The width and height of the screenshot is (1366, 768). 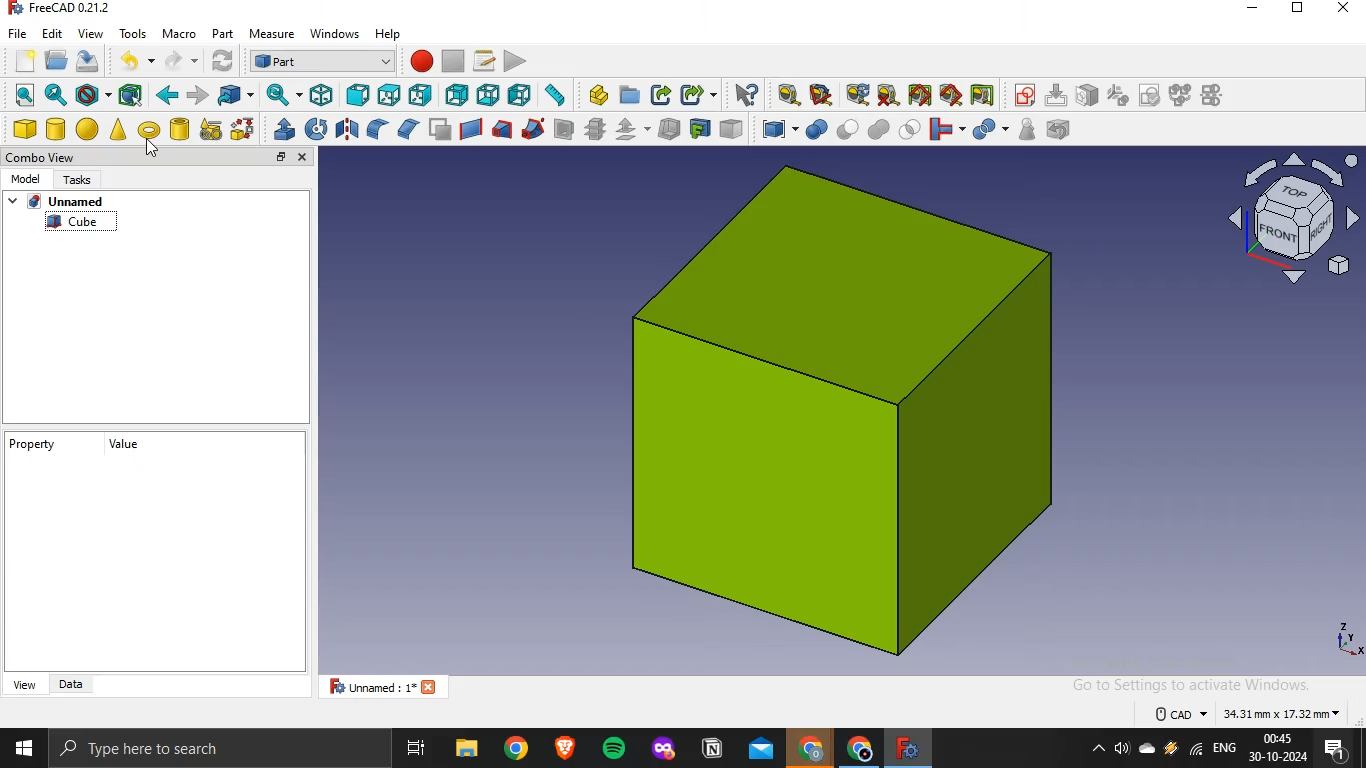 What do you see at coordinates (484, 61) in the screenshot?
I see `macros` at bounding box center [484, 61].